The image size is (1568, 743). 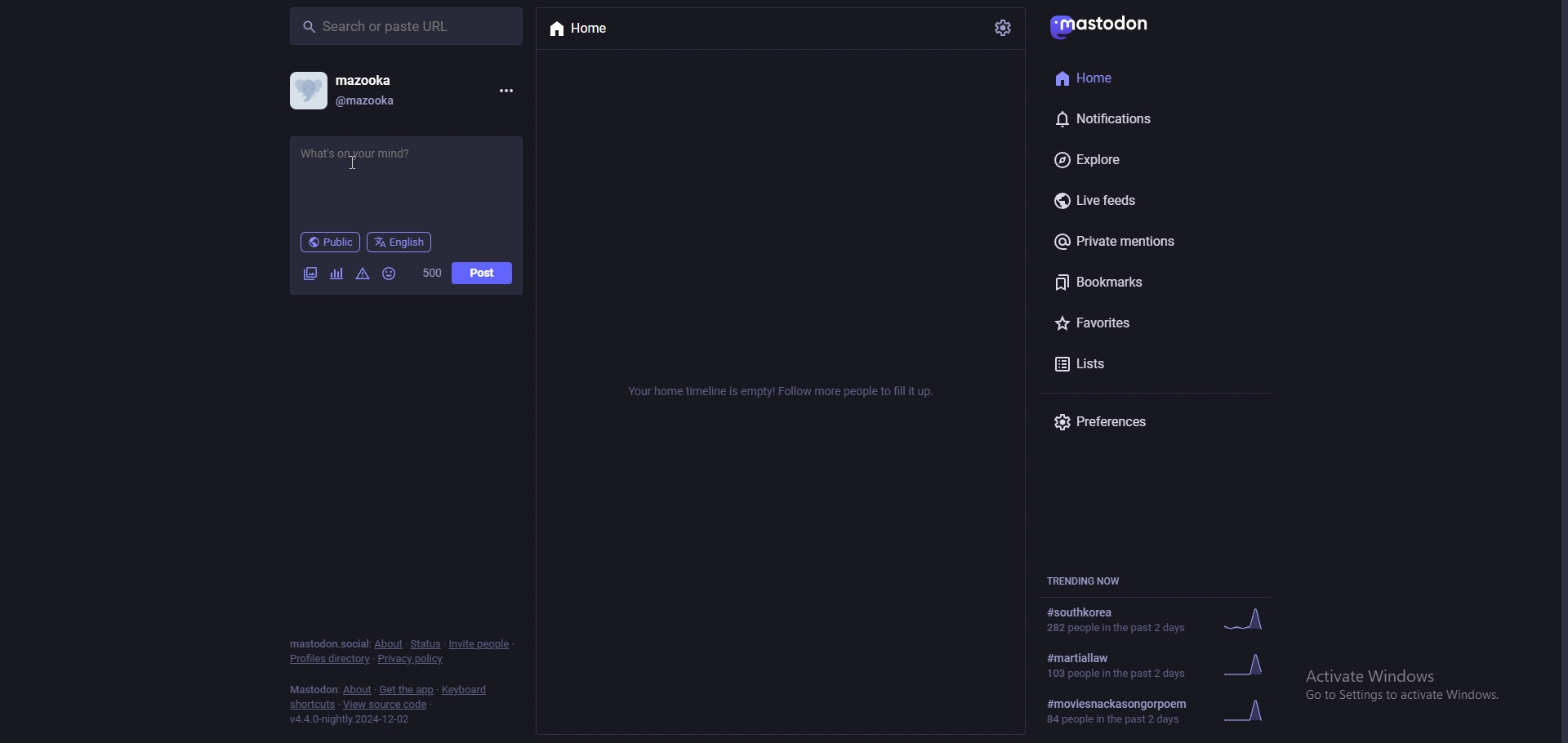 I want to click on menu, so click(x=506, y=90).